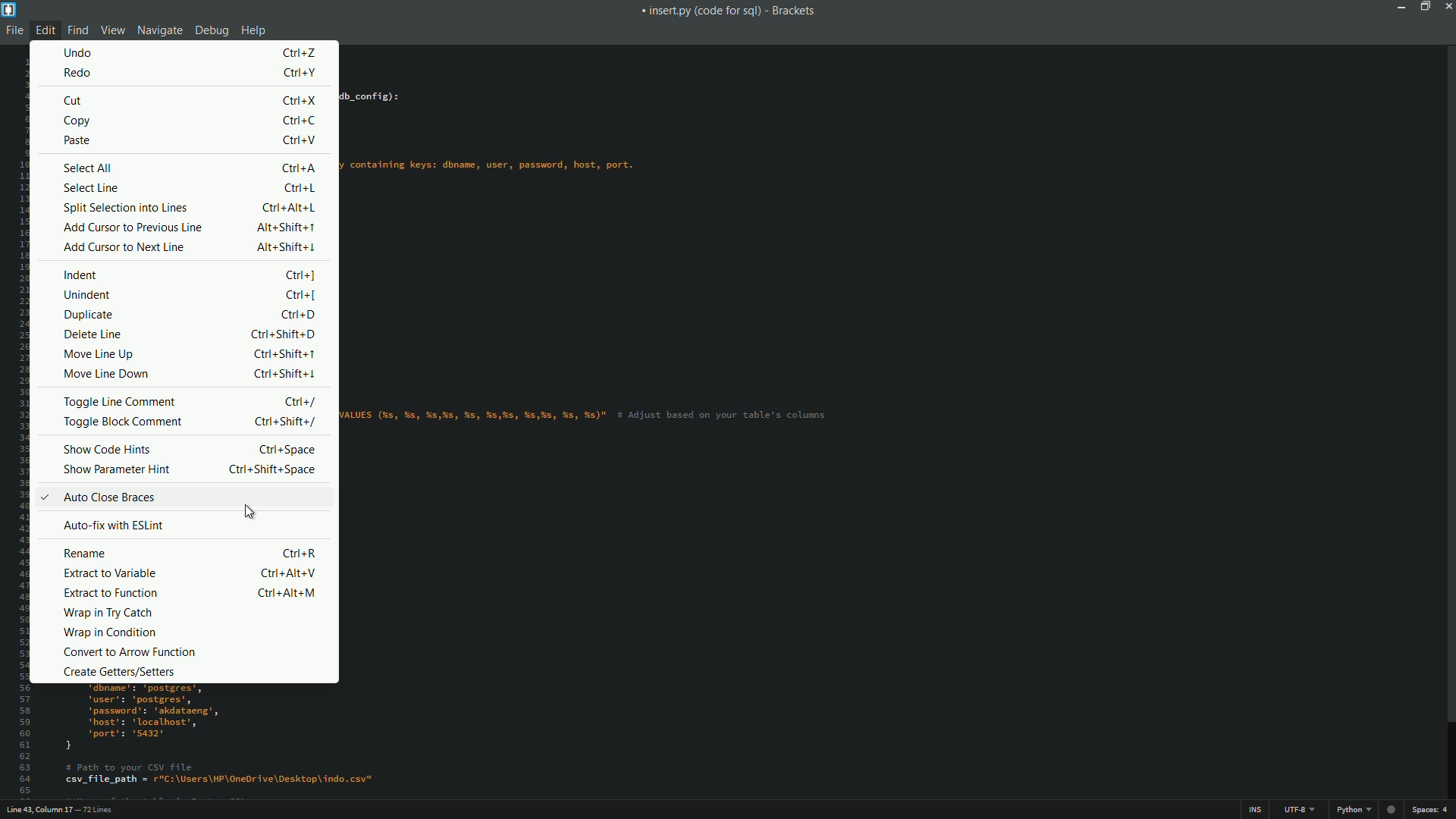 Image resolution: width=1456 pixels, height=819 pixels. Describe the element at coordinates (299, 554) in the screenshot. I see `keyboard shortcut` at that location.